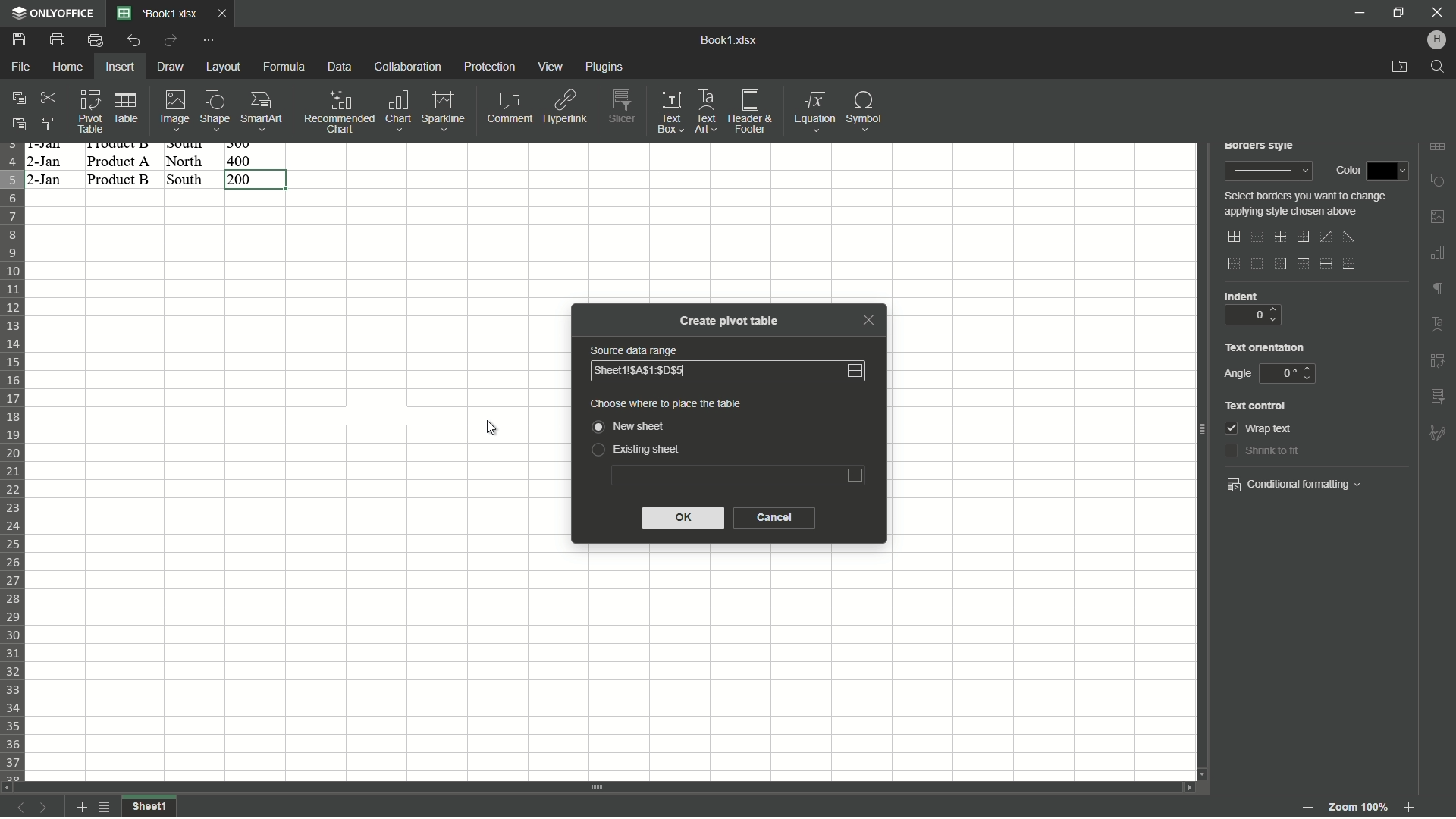 The height and width of the screenshot is (819, 1456). What do you see at coordinates (50, 124) in the screenshot?
I see `Copy style` at bounding box center [50, 124].